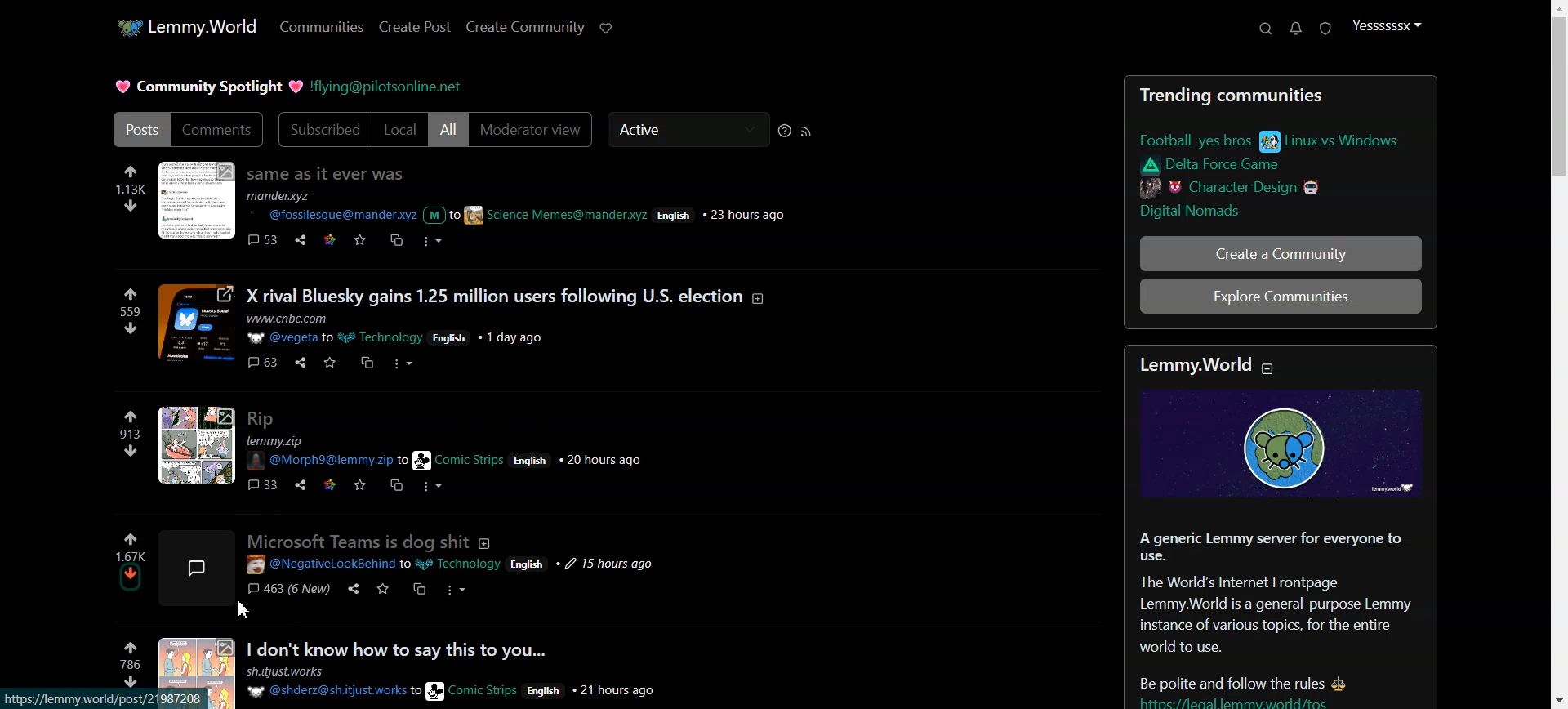 This screenshot has width=1568, height=709. Describe the element at coordinates (1281, 296) in the screenshot. I see `Explore Communities` at that location.